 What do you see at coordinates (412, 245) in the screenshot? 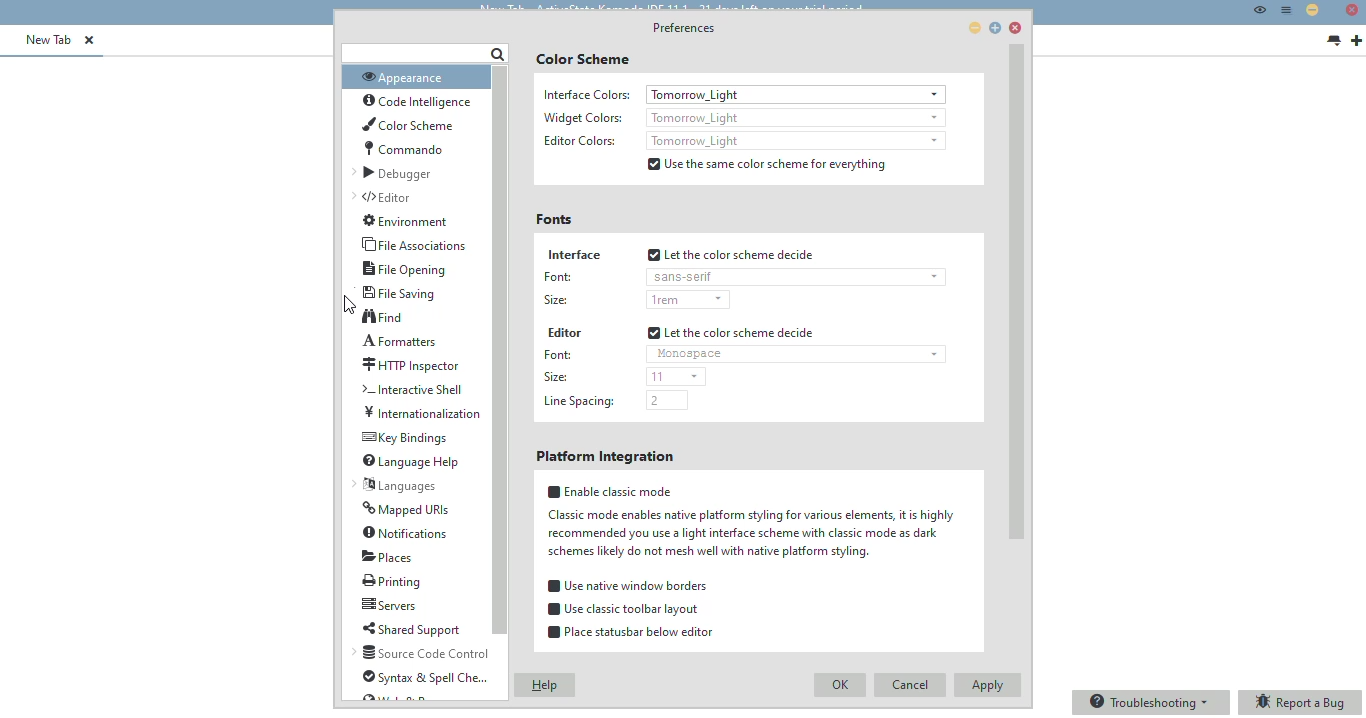
I see `file associations` at bounding box center [412, 245].